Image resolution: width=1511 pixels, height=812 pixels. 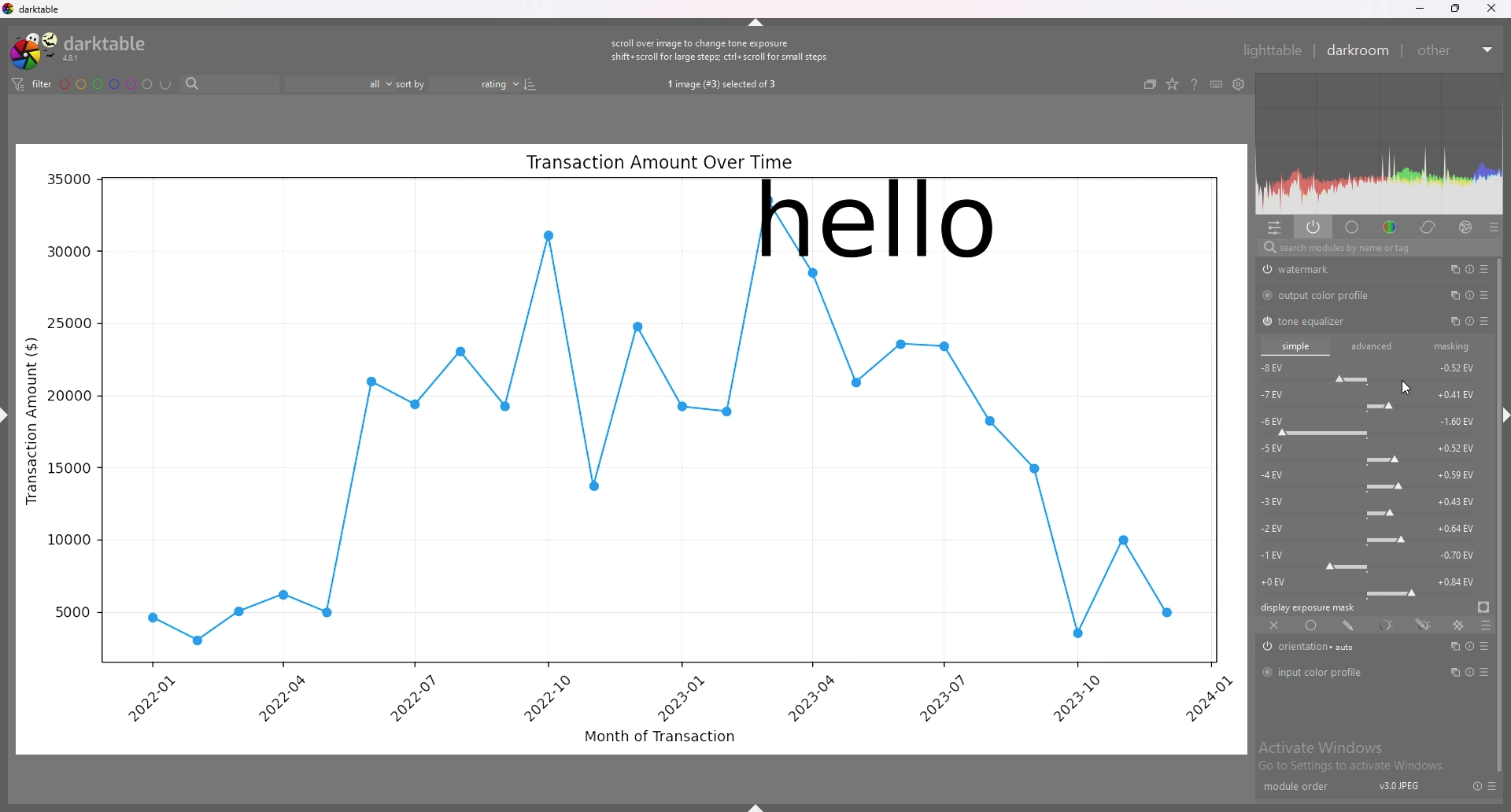 What do you see at coordinates (1317, 270) in the screenshot?
I see `watermark` at bounding box center [1317, 270].